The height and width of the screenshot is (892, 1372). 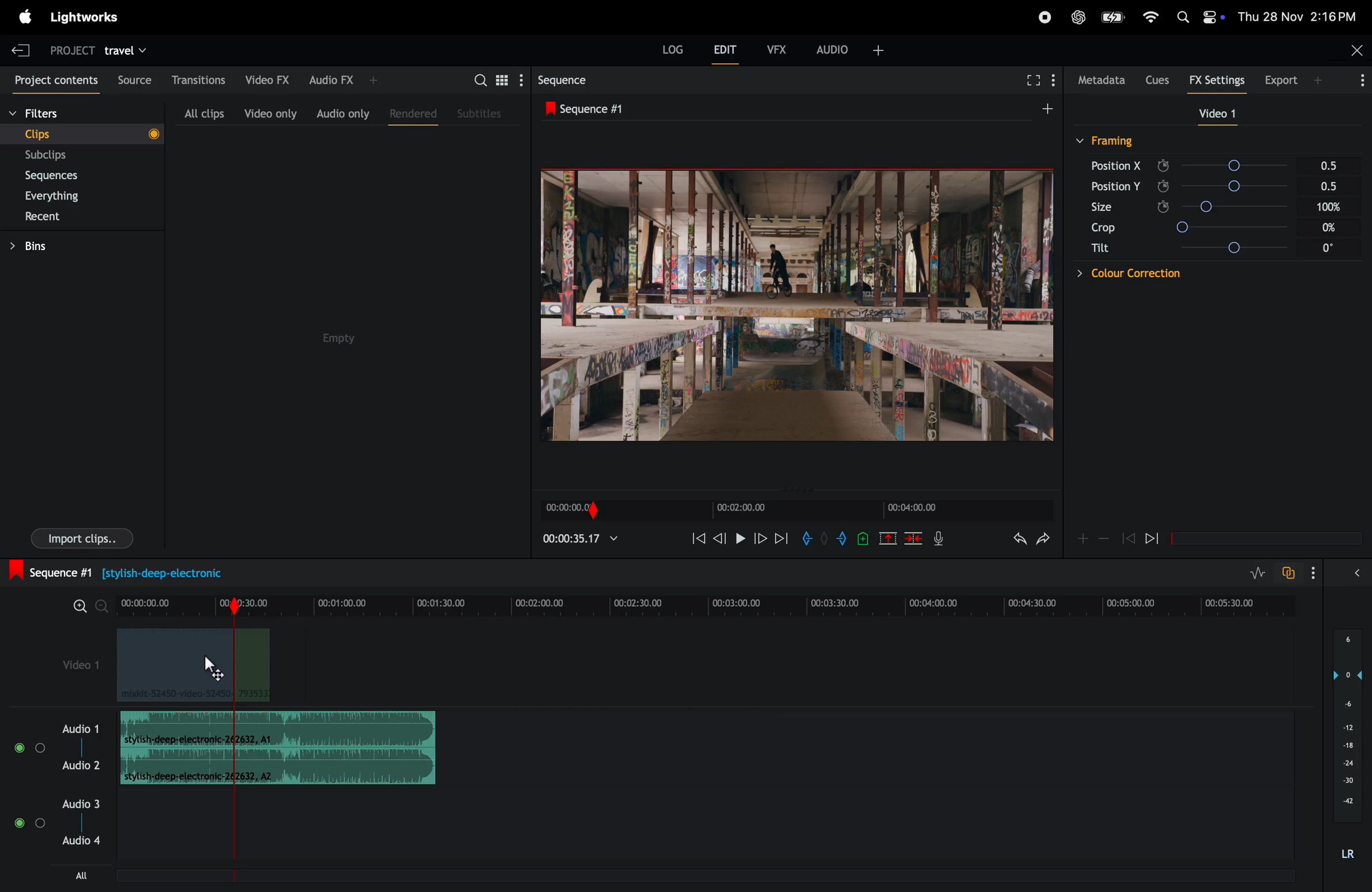 What do you see at coordinates (1043, 542) in the screenshot?
I see `undo` at bounding box center [1043, 542].